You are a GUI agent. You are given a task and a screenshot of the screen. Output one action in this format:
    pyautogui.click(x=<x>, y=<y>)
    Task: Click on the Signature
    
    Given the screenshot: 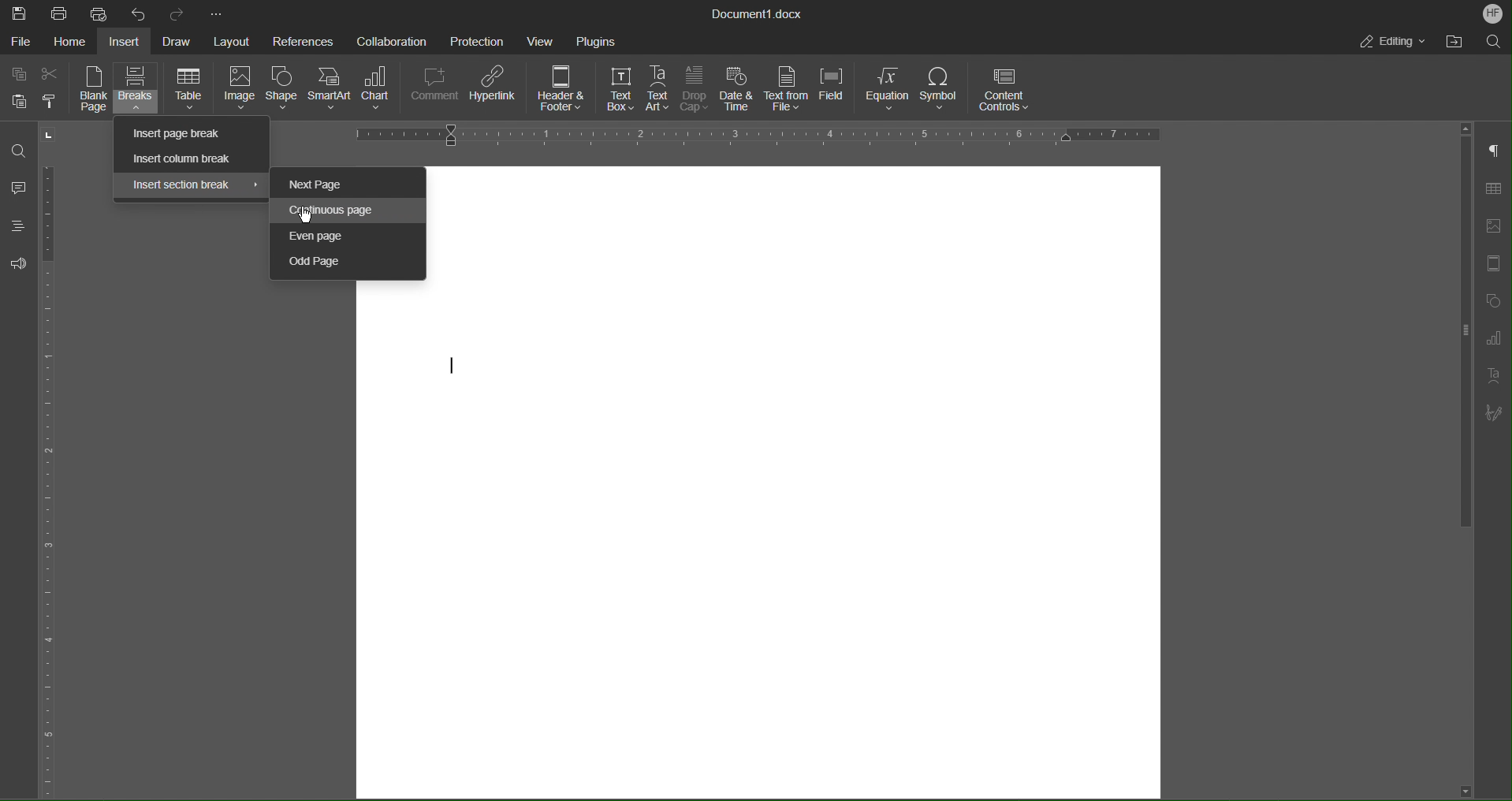 What is the action you would take?
    pyautogui.click(x=1493, y=413)
    